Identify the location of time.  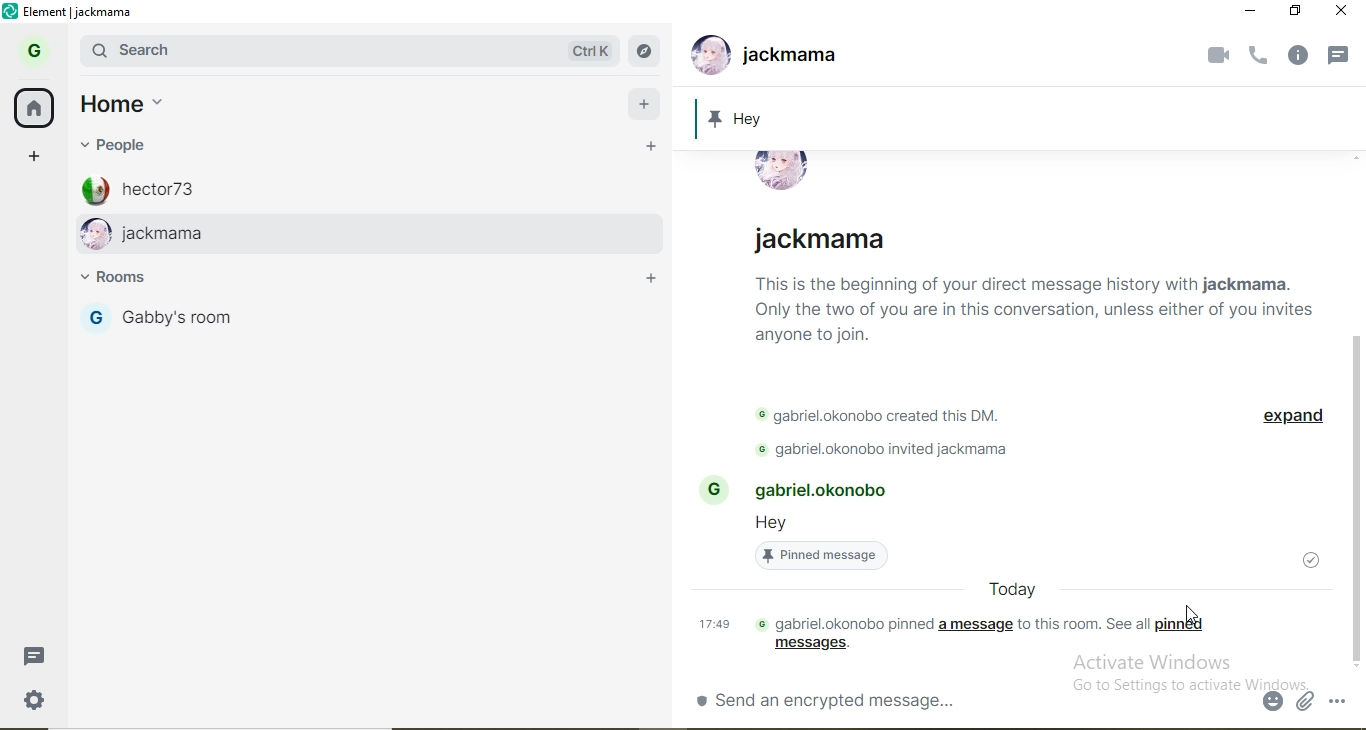
(709, 624).